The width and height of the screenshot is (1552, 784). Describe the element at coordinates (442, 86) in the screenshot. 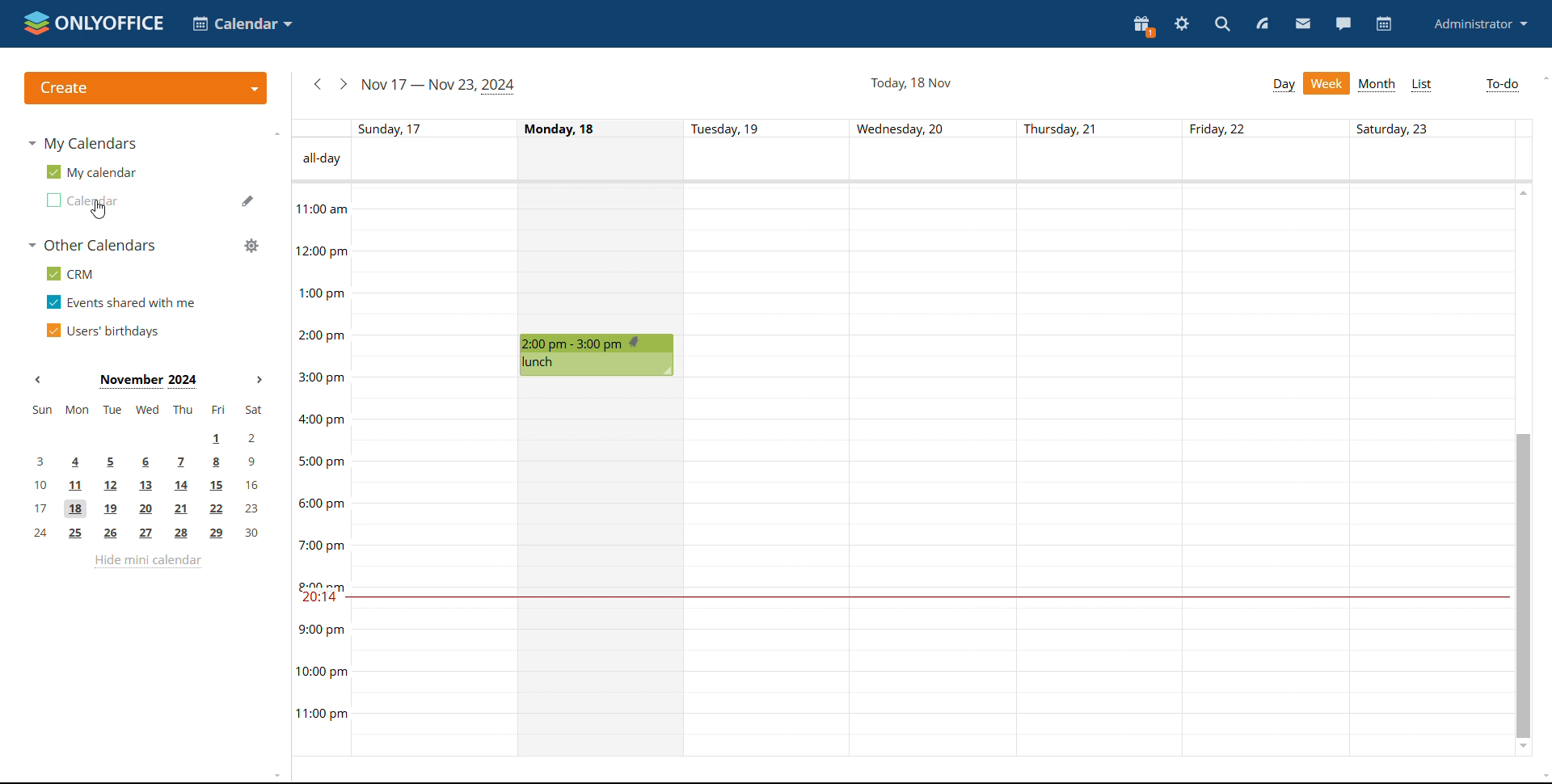

I see `current week` at that location.